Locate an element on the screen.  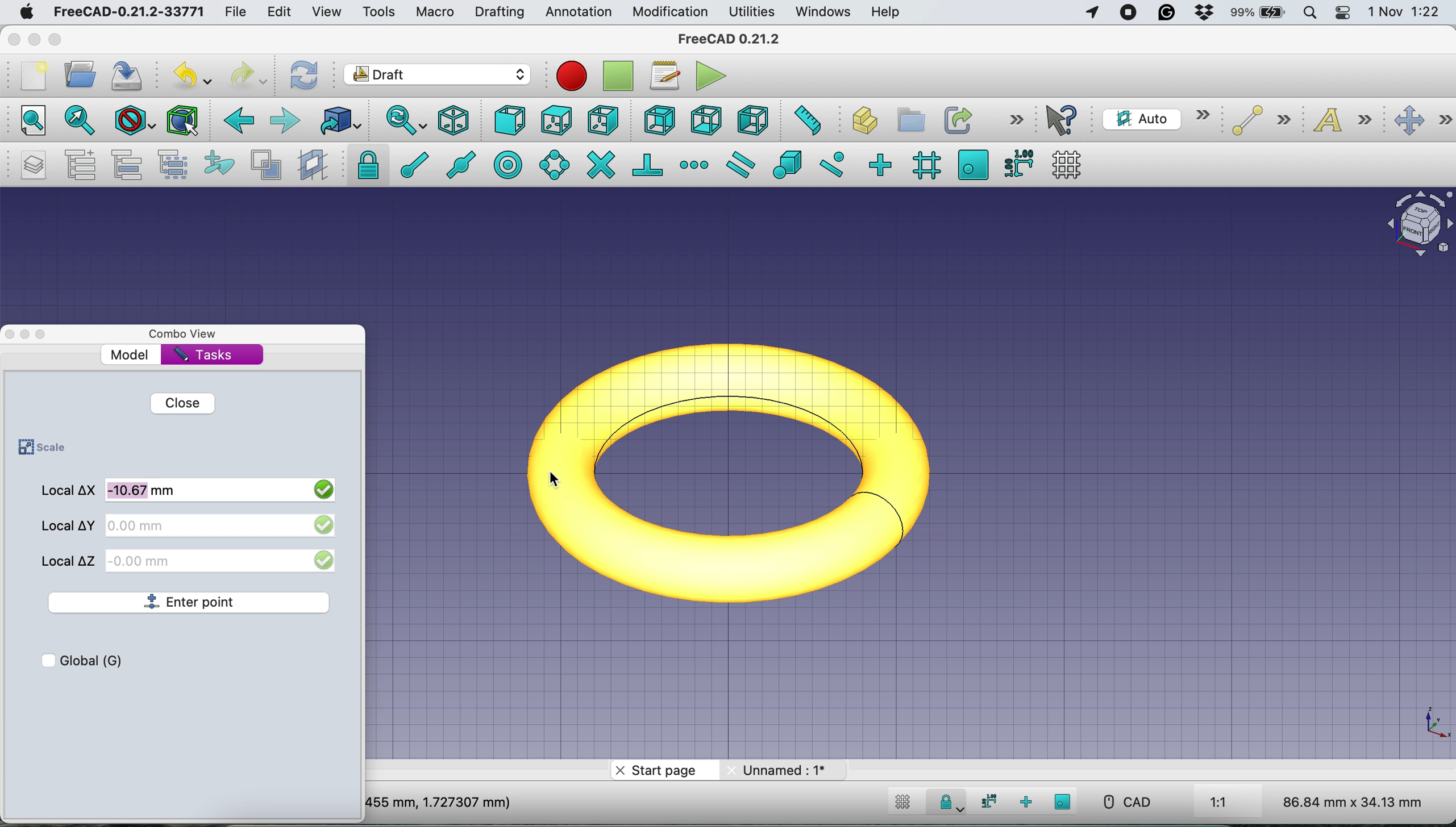
left is located at coordinates (750, 118).